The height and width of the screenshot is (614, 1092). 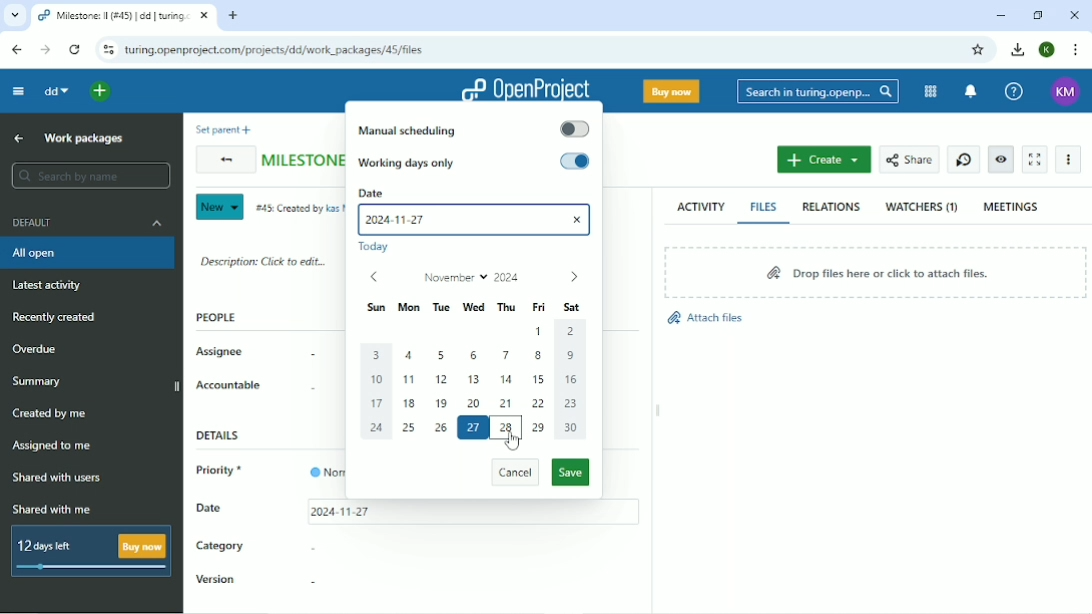 What do you see at coordinates (701, 206) in the screenshot?
I see `Activity` at bounding box center [701, 206].